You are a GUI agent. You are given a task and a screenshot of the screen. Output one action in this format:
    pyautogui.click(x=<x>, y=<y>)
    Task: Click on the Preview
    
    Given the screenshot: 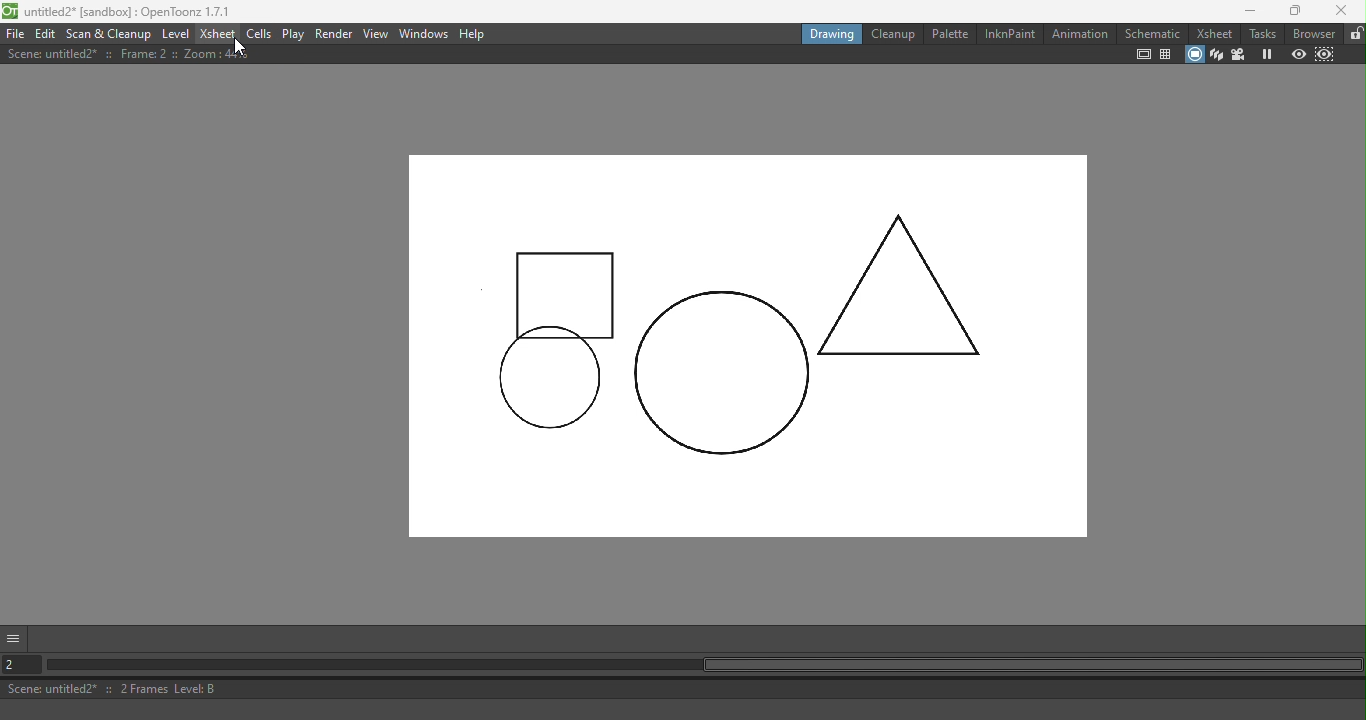 What is the action you would take?
    pyautogui.click(x=1297, y=54)
    